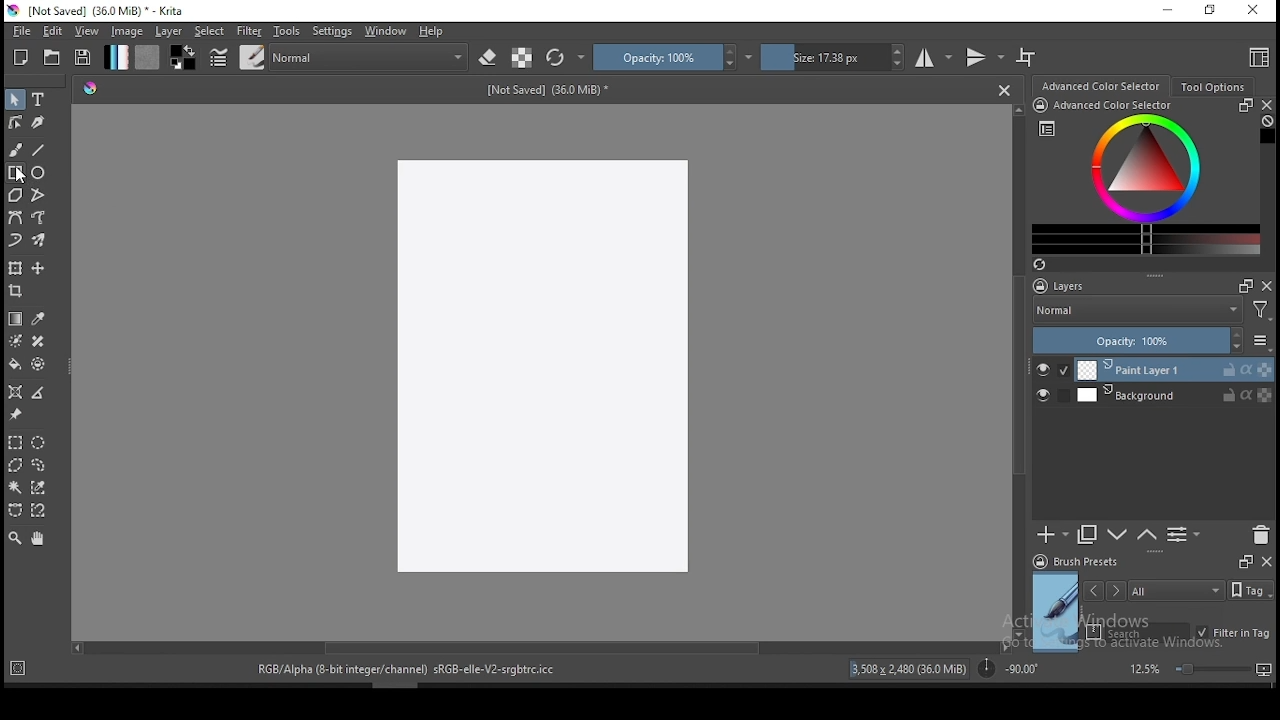  I want to click on colors, so click(183, 57).